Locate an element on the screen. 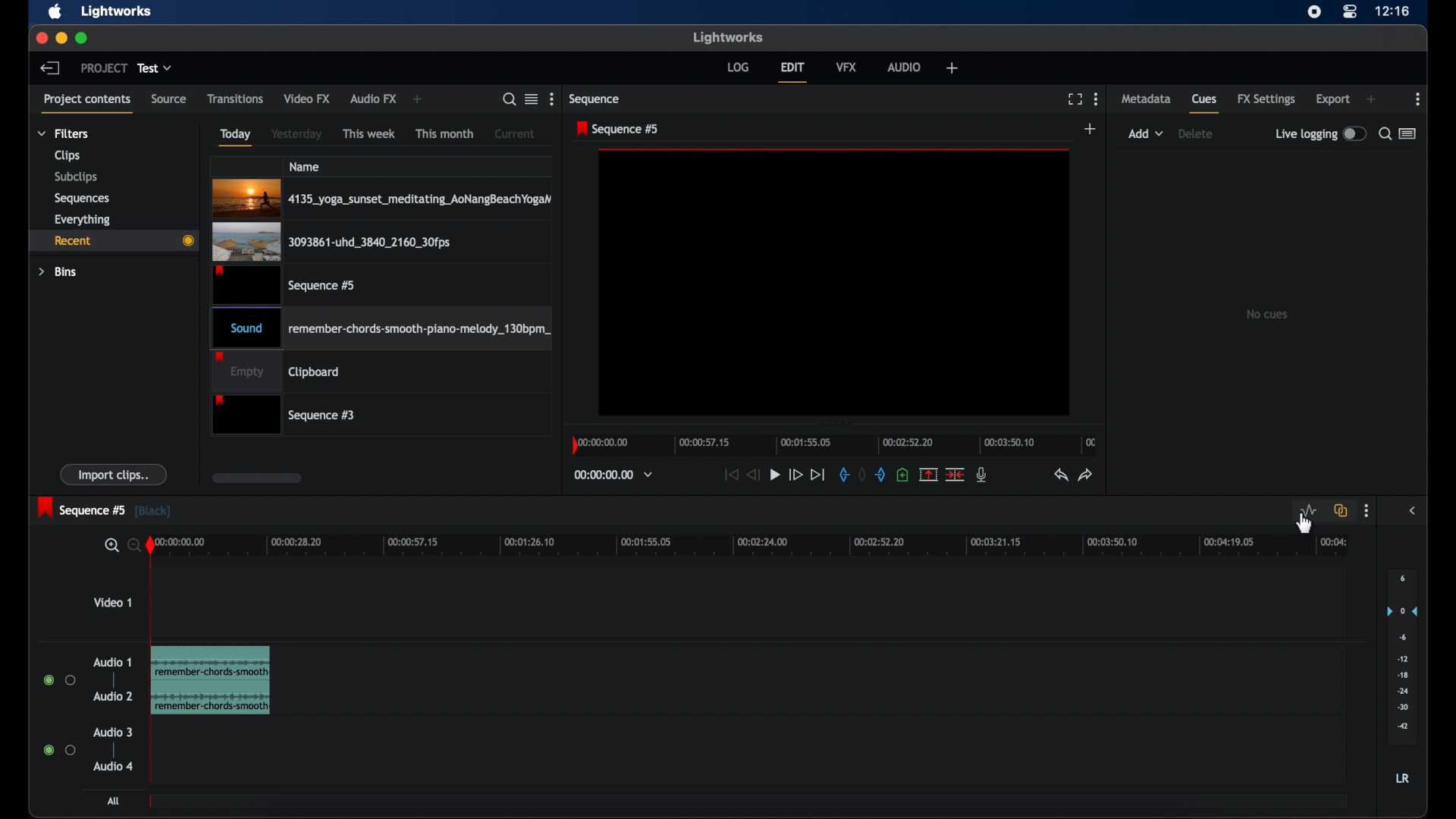 The image size is (1456, 819). screen recorder icon is located at coordinates (1313, 11).